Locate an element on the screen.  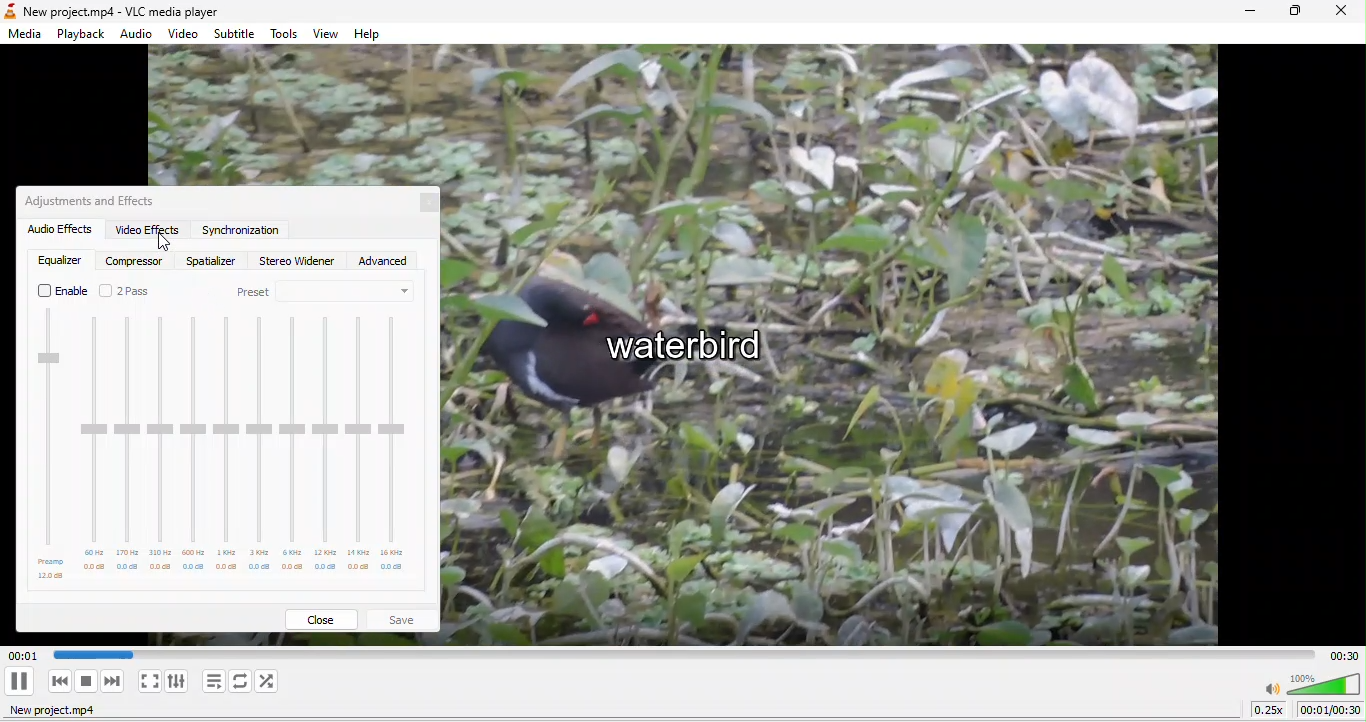
16KHz volume bar is located at coordinates (394, 449).